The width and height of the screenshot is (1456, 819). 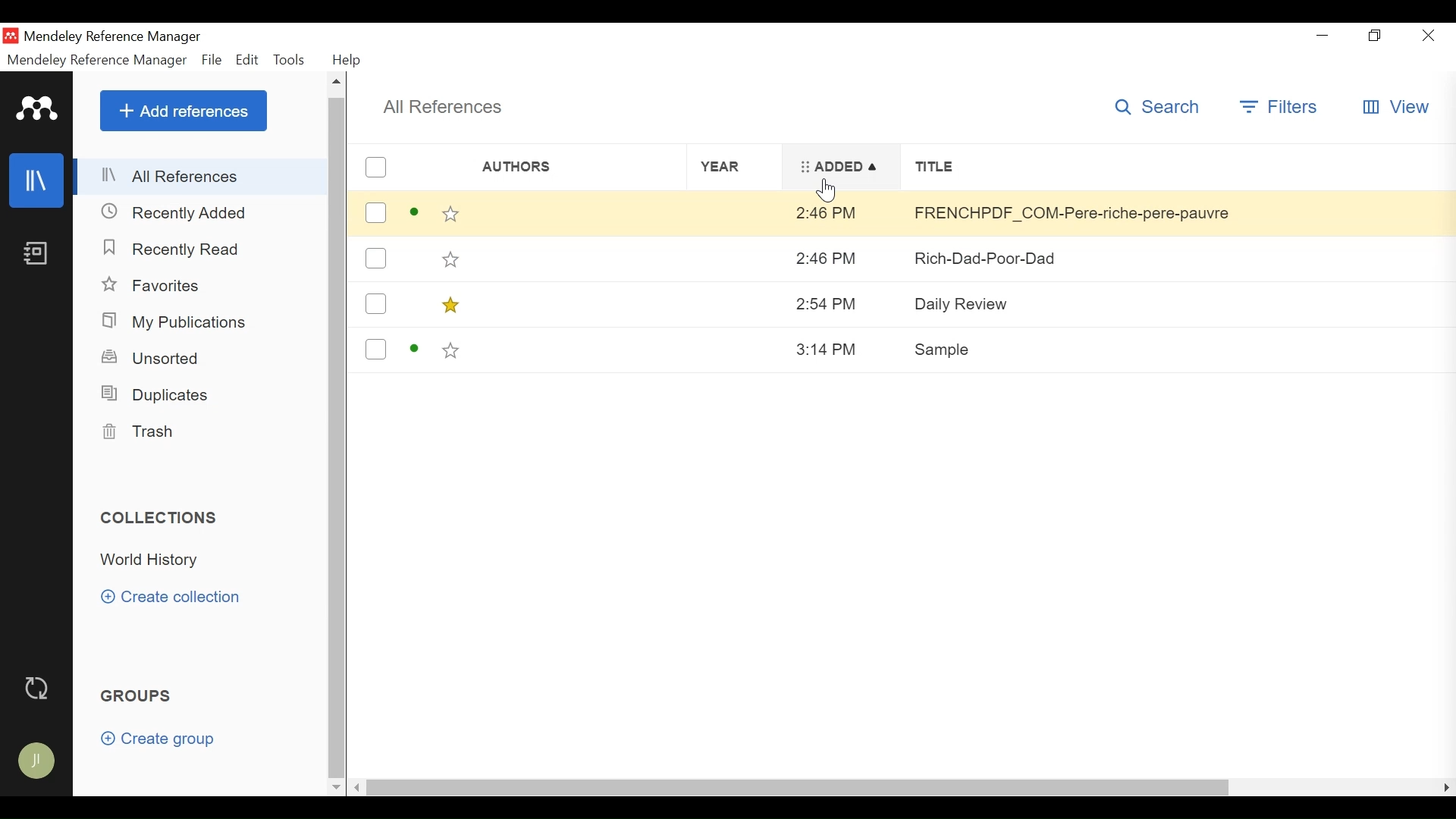 What do you see at coordinates (171, 249) in the screenshot?
I see `Recently Read` at bounding box center [171, 249].